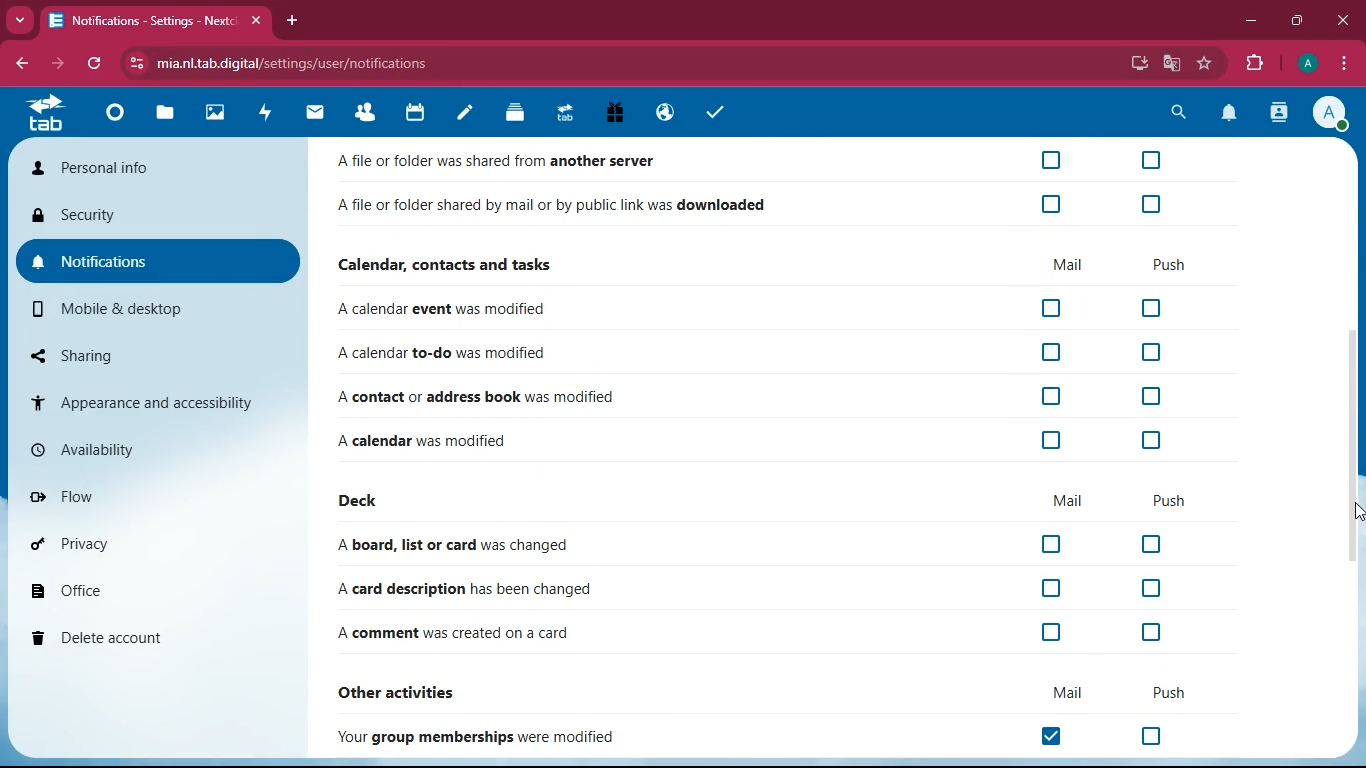 This screenshot has width=1366, height=768. Describe the element at coordinates (153, 170) in the screenshot. I see `personal info` at that location.